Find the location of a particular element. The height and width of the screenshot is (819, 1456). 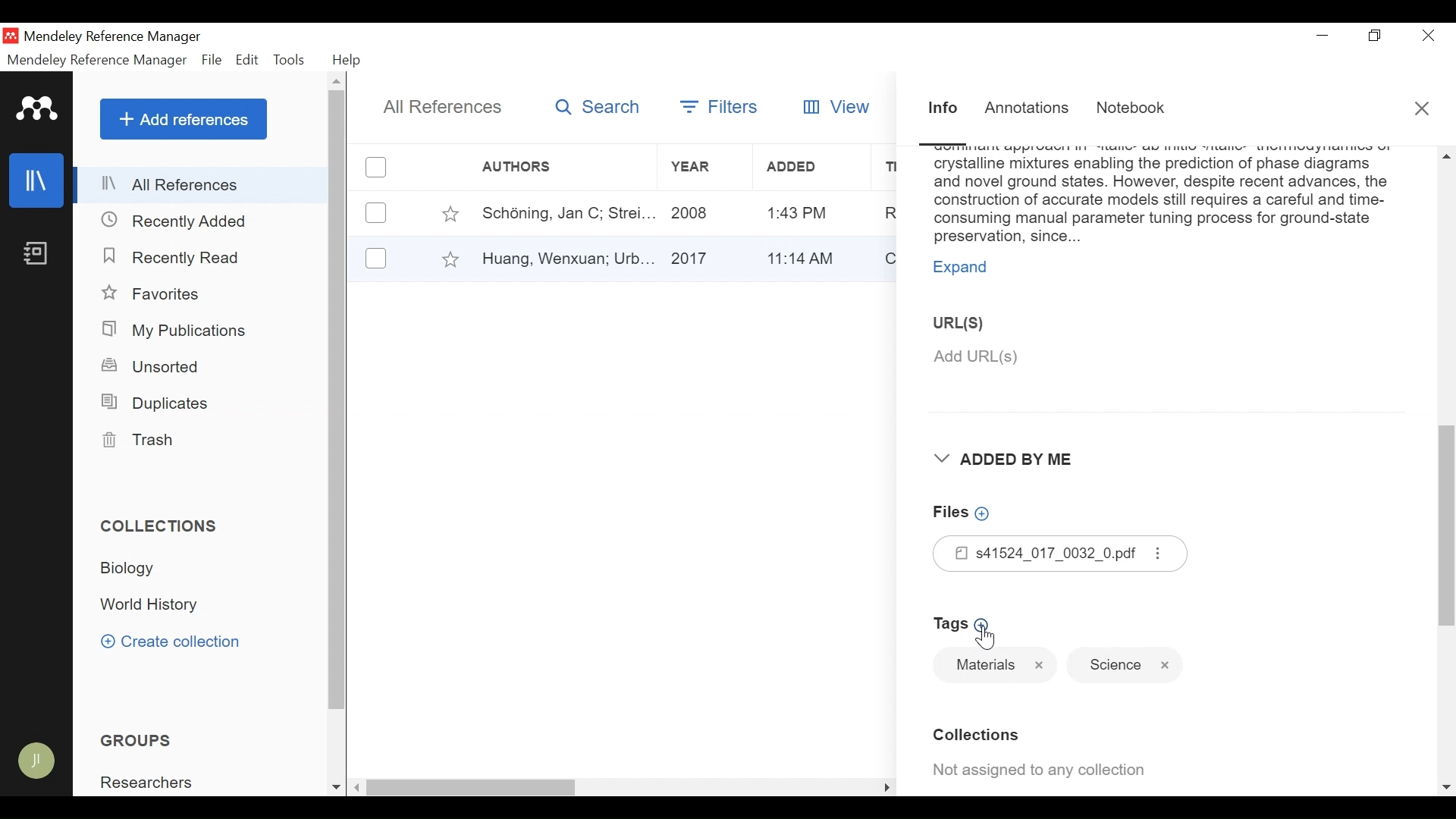

Tag name is located at coordinates (1126, 664).